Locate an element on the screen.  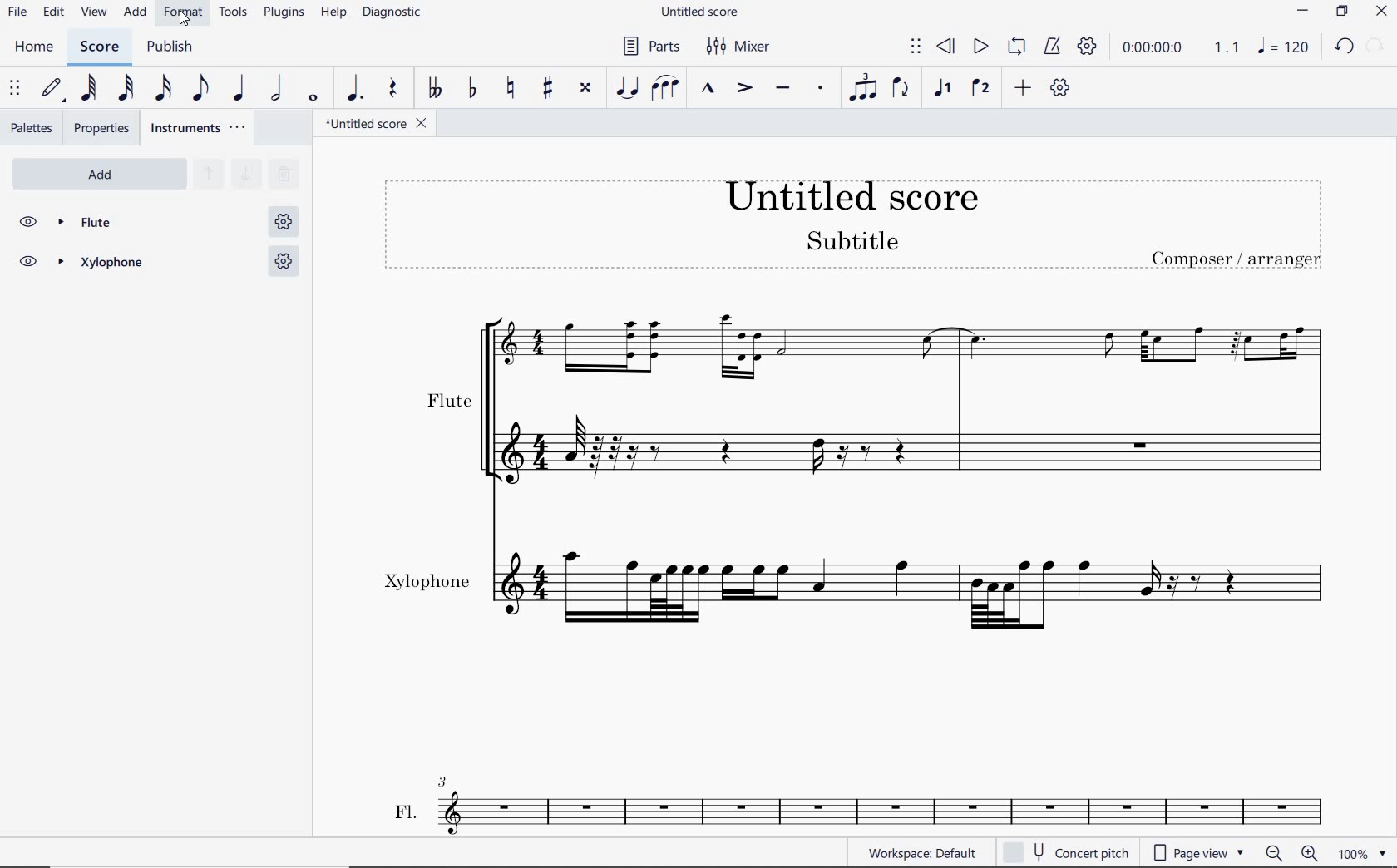
SELECT TO MOVE is located at coordinates (916, 47).